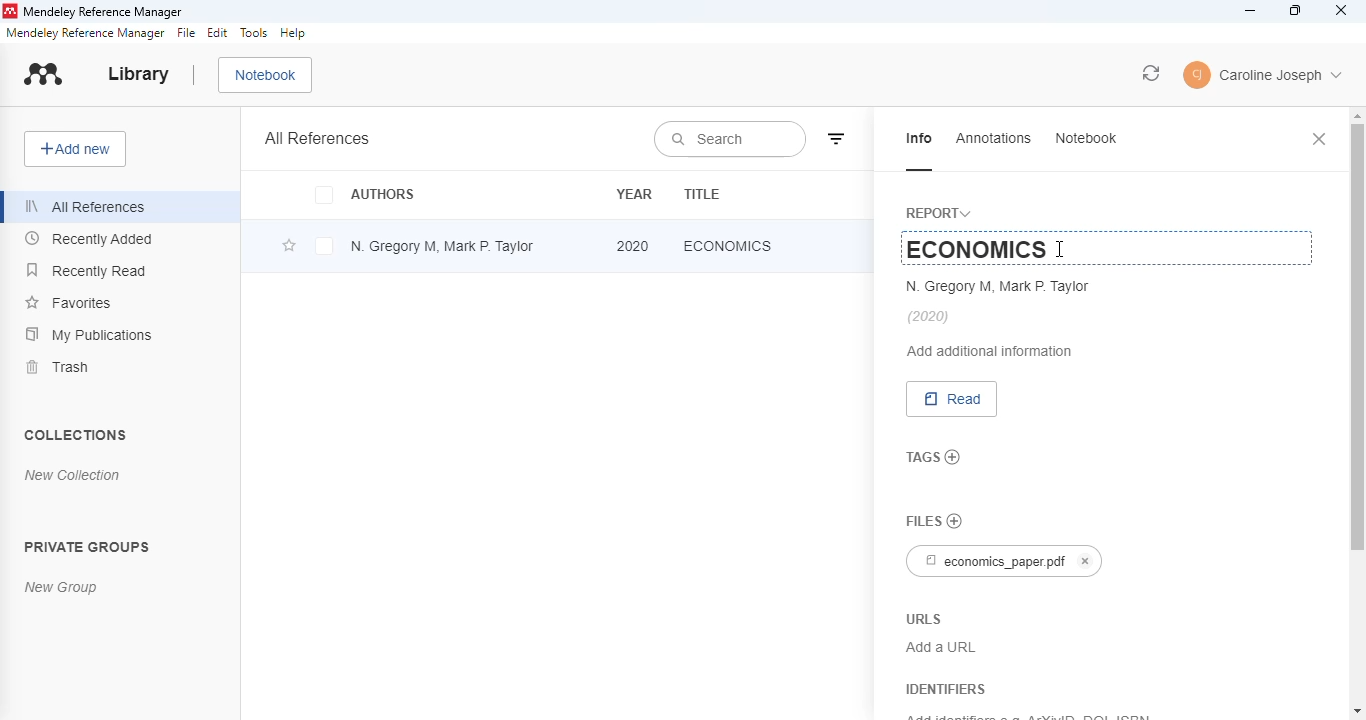  I want to click on file, so click(186, 33).